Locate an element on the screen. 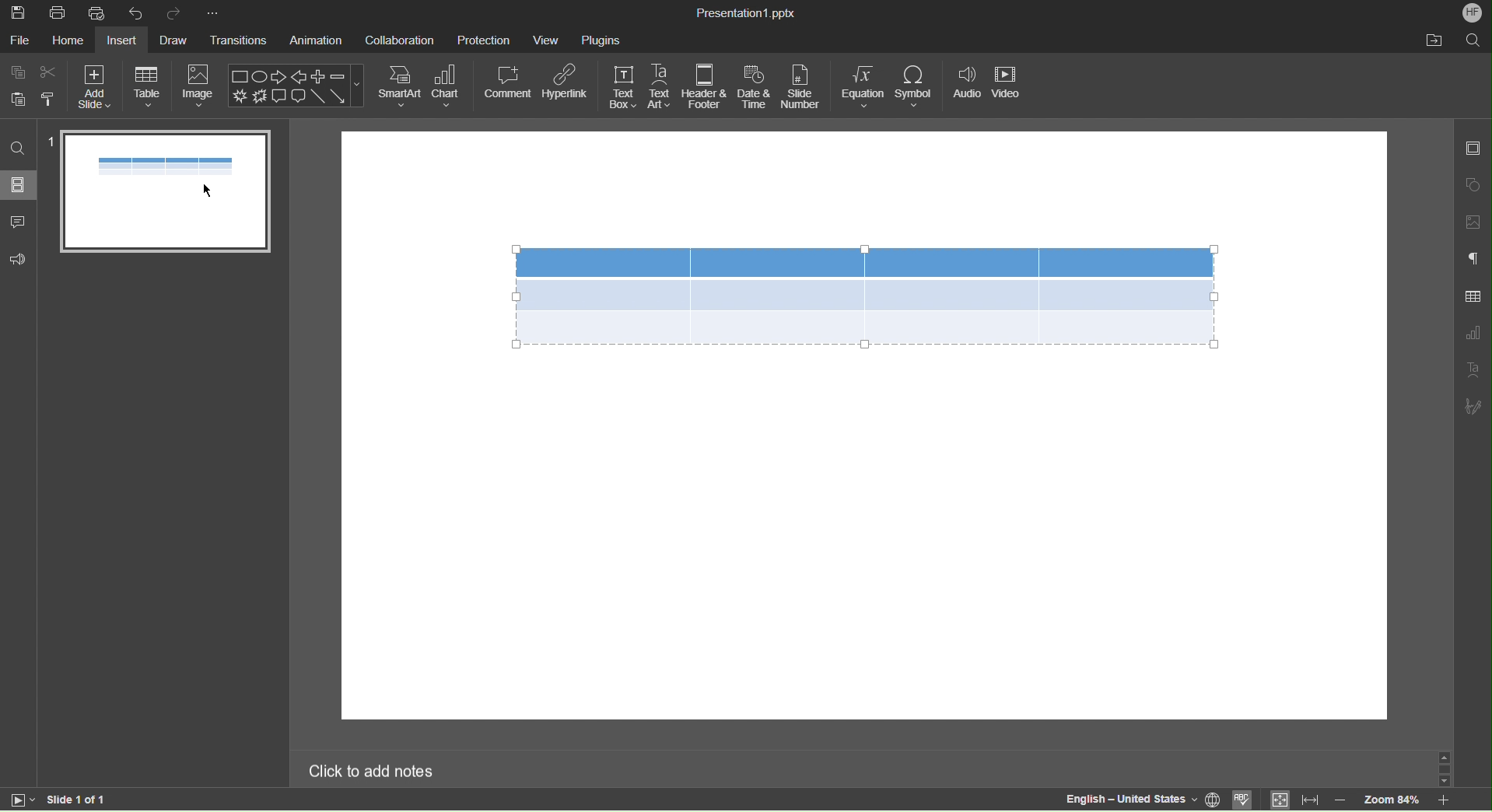 This screenshot has width=1492, height=812. Spellcheck is located at coordinates (1243, 800).